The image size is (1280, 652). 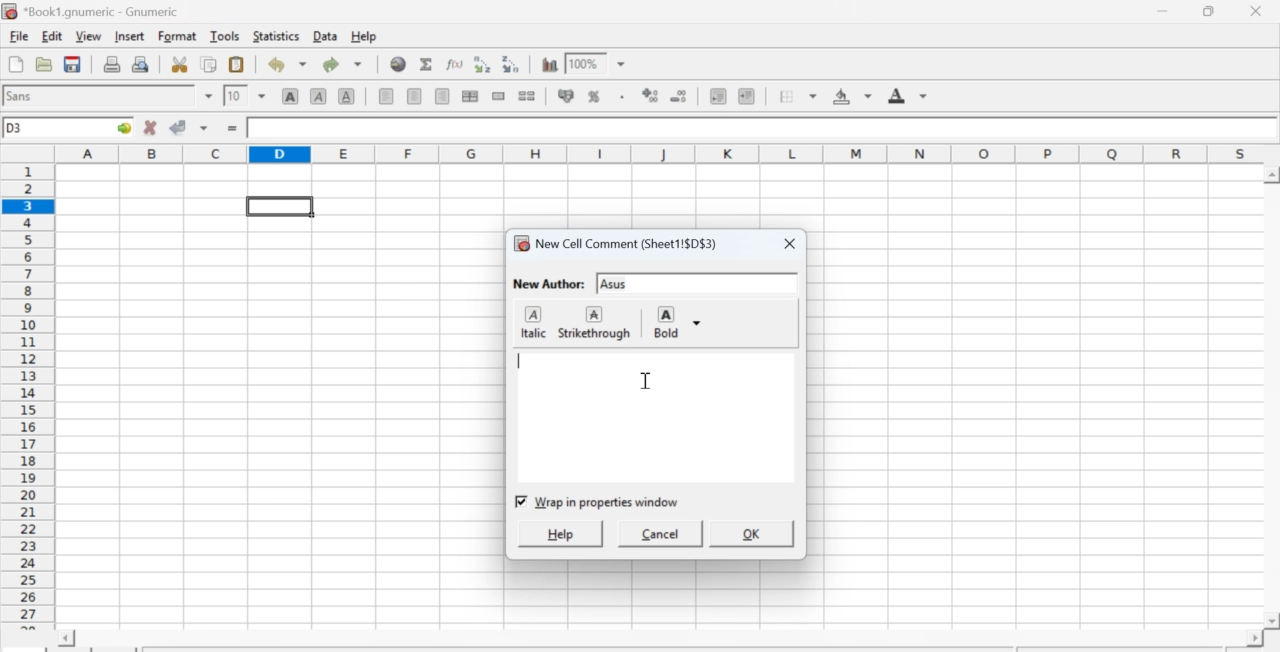 I want to click on Active cell, so click(x=70, y=128).